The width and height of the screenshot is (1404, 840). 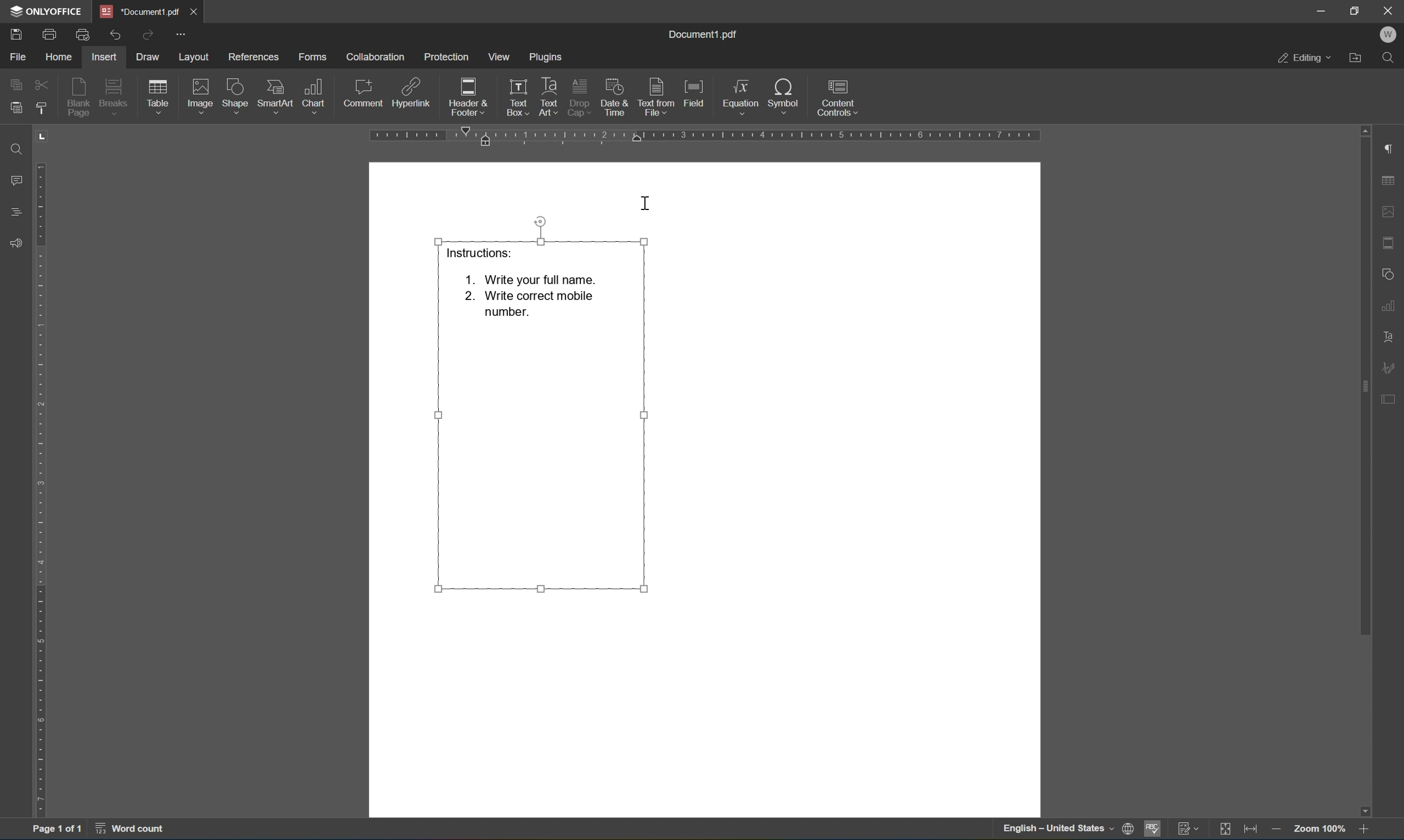 What do you see at coordinates (17, 35) in the screenshot?
I see `Save` at bounding box center [17, 35].